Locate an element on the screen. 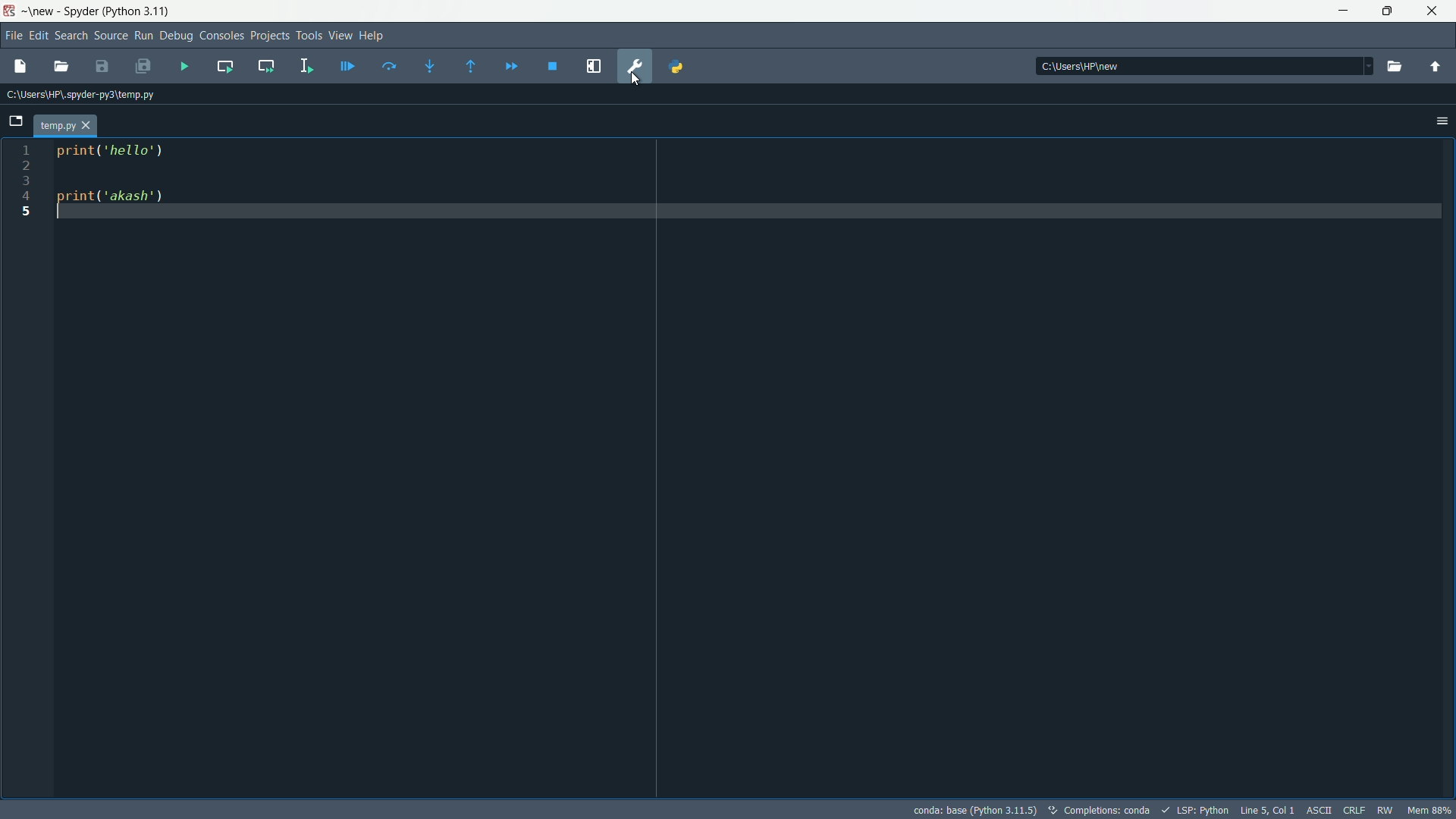  stop debugging is located at coordinates (554, 67).